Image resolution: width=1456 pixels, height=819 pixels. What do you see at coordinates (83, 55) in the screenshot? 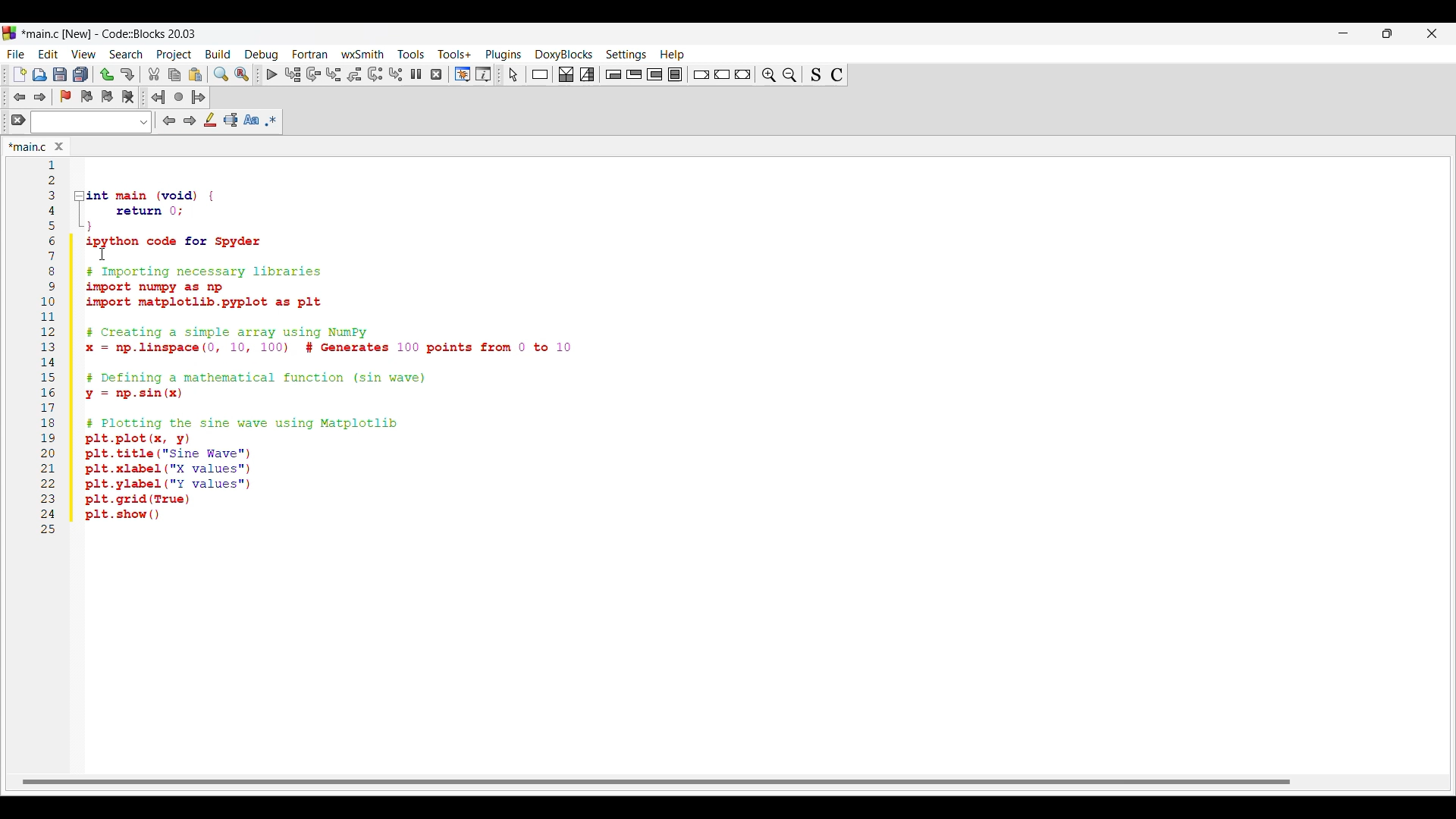
I see `View menu` at bounding box center [83, 55].